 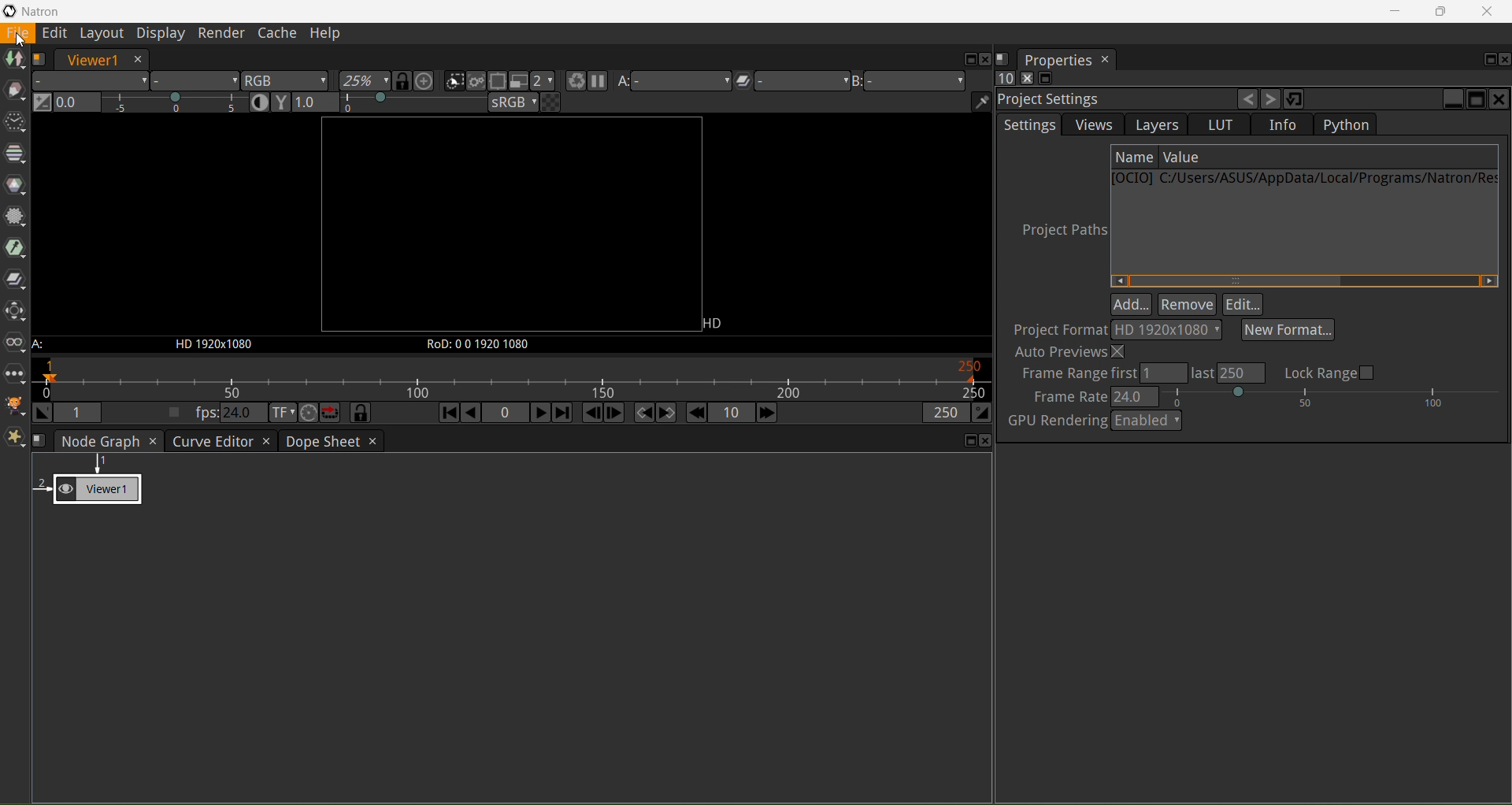 I want to click on Name, so click(x=1134, y=157).